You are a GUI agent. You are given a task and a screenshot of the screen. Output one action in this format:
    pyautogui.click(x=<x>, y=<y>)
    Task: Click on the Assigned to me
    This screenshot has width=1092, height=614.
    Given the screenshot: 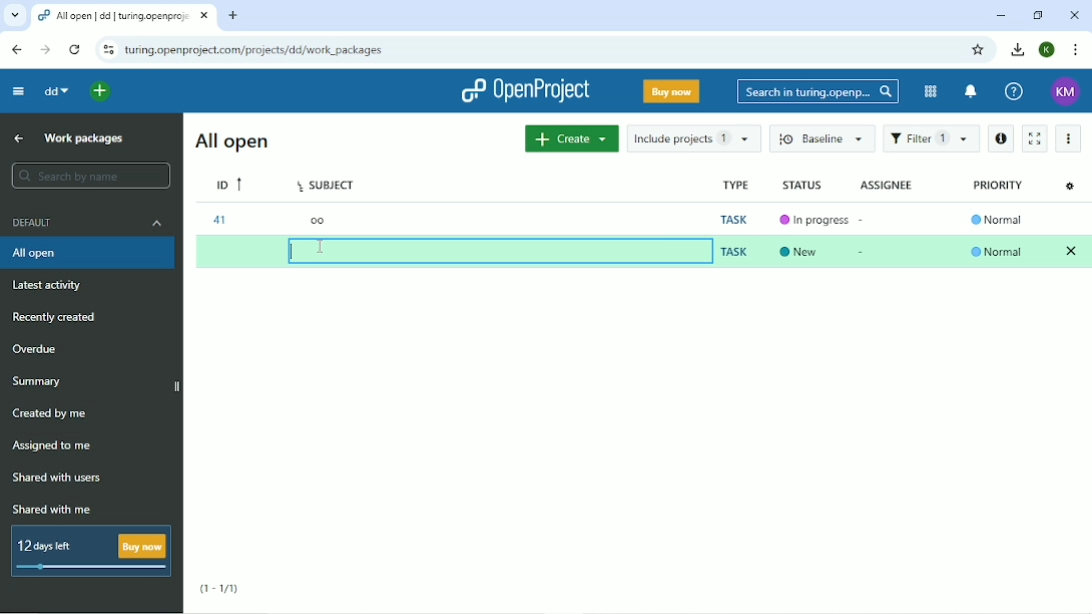 What is the action you would take?
    pyautogui.click(x=56, y=446)
    